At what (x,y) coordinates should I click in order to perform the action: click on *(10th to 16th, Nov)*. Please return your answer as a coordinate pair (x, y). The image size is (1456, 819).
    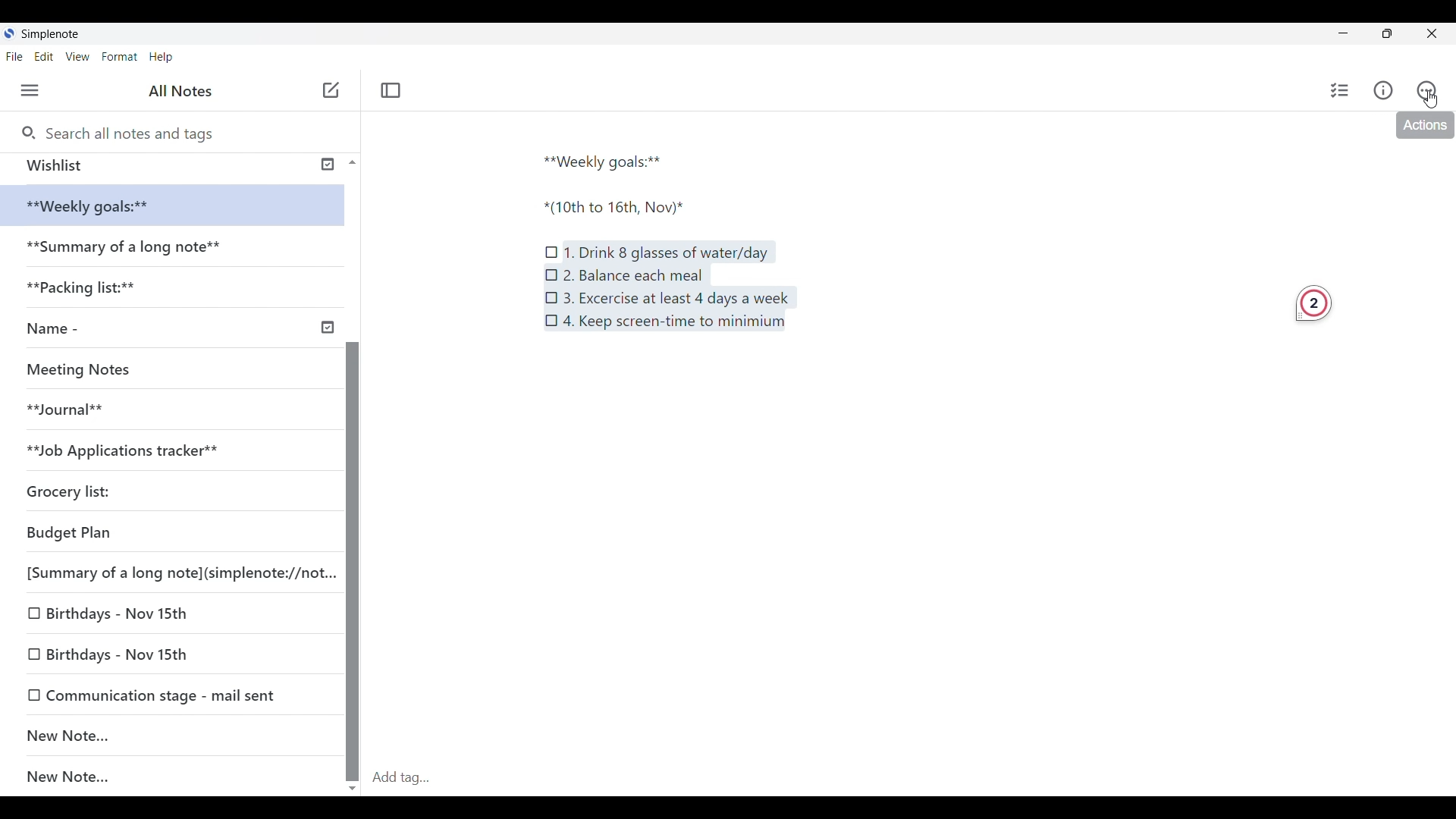
    Looking at the image, I should click on (624, 208).